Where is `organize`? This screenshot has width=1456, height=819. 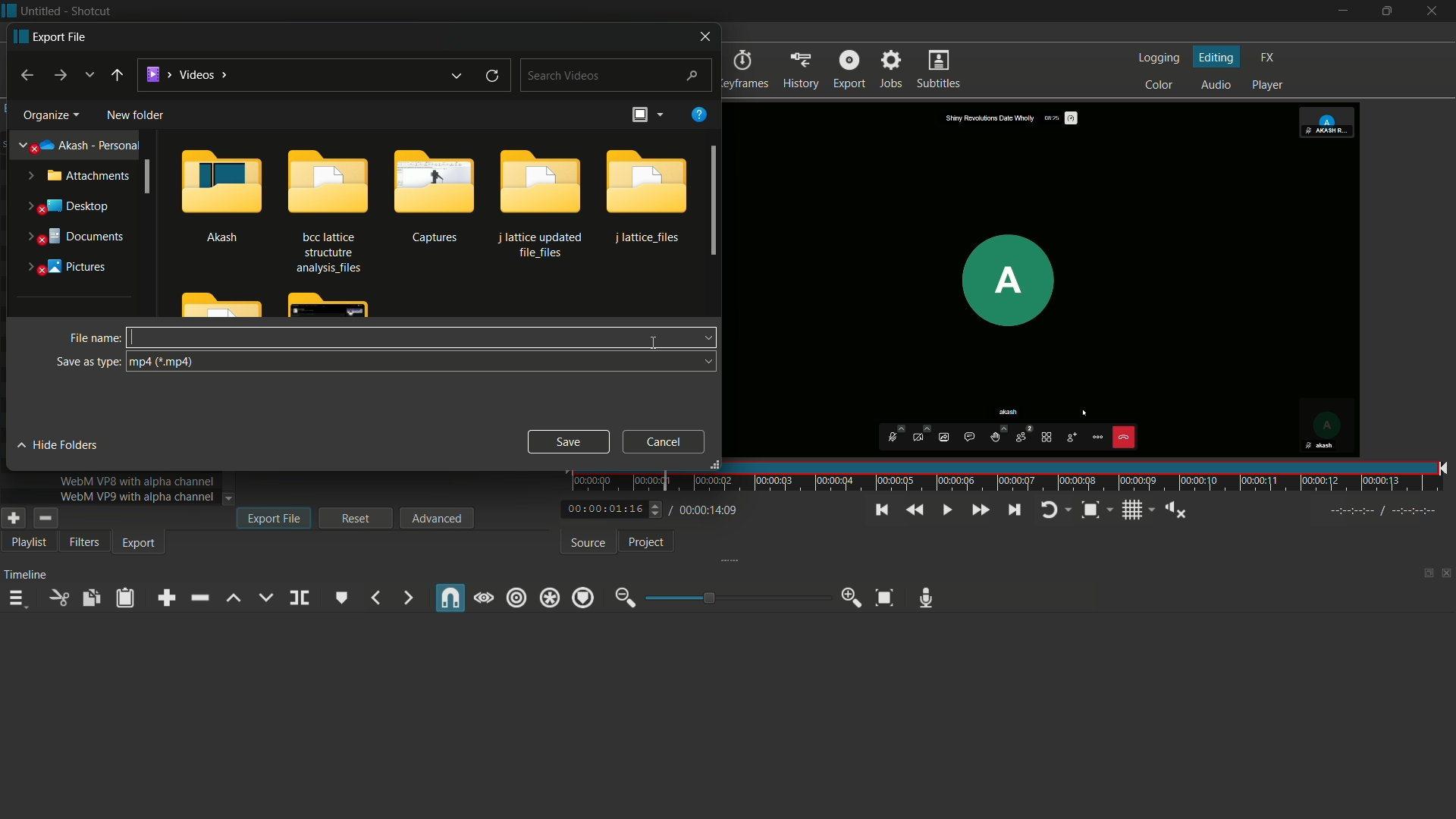 organize is located at coordinates (49, 115).